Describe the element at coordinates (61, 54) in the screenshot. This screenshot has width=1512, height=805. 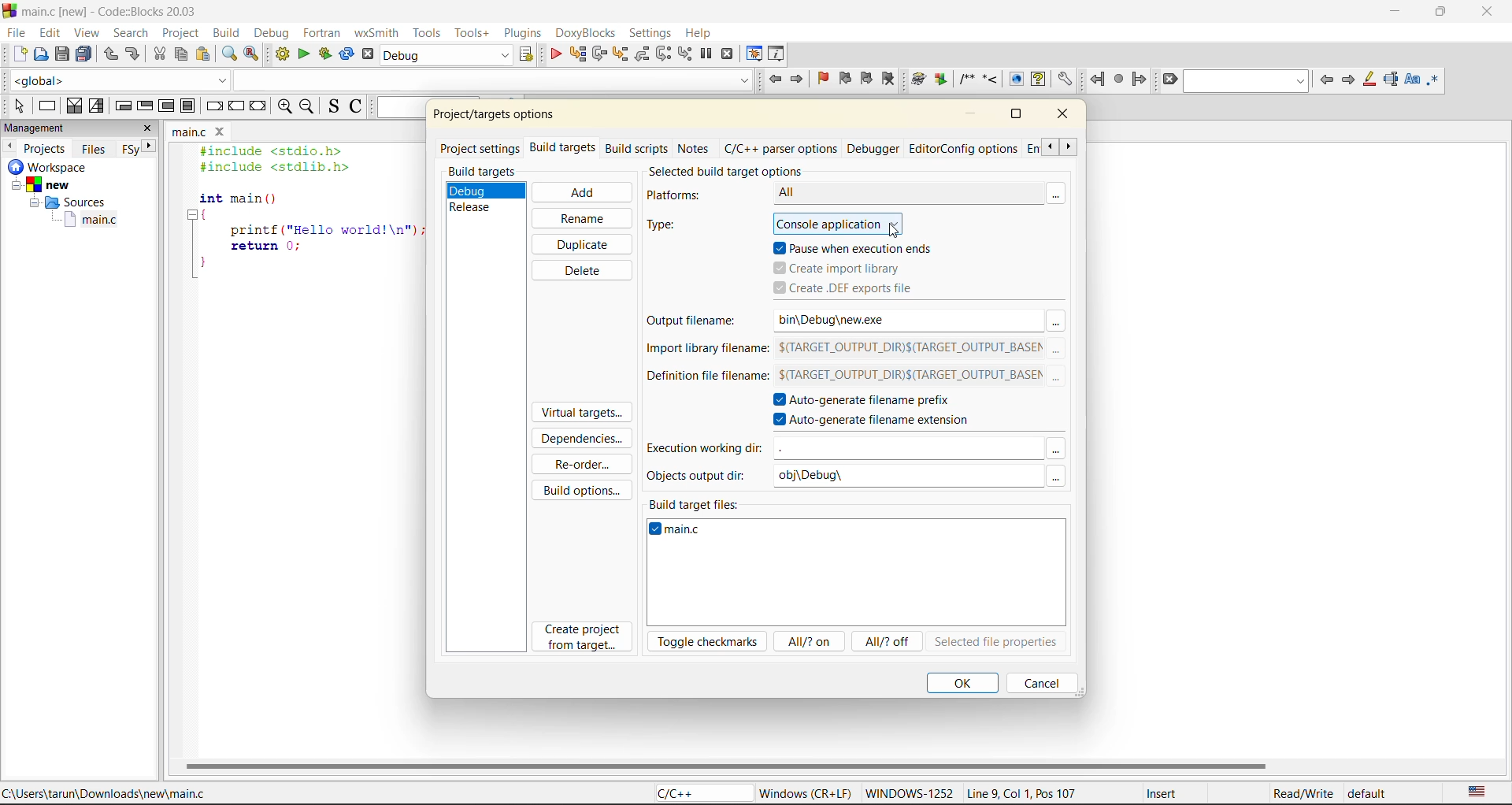
I see `save` at that location.